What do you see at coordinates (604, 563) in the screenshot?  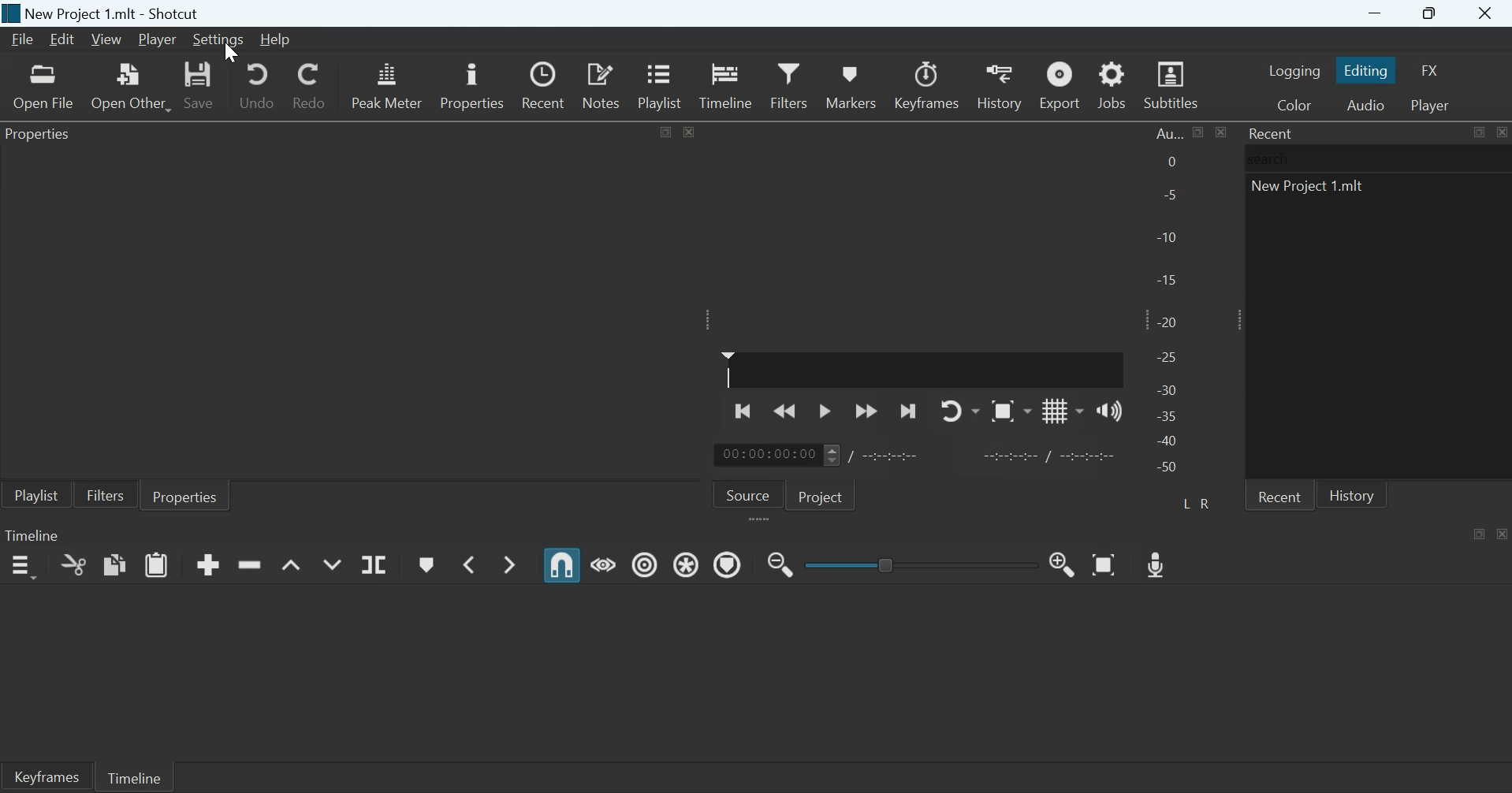 I see `Scrub while dragging` at bounding box center [604, 563].